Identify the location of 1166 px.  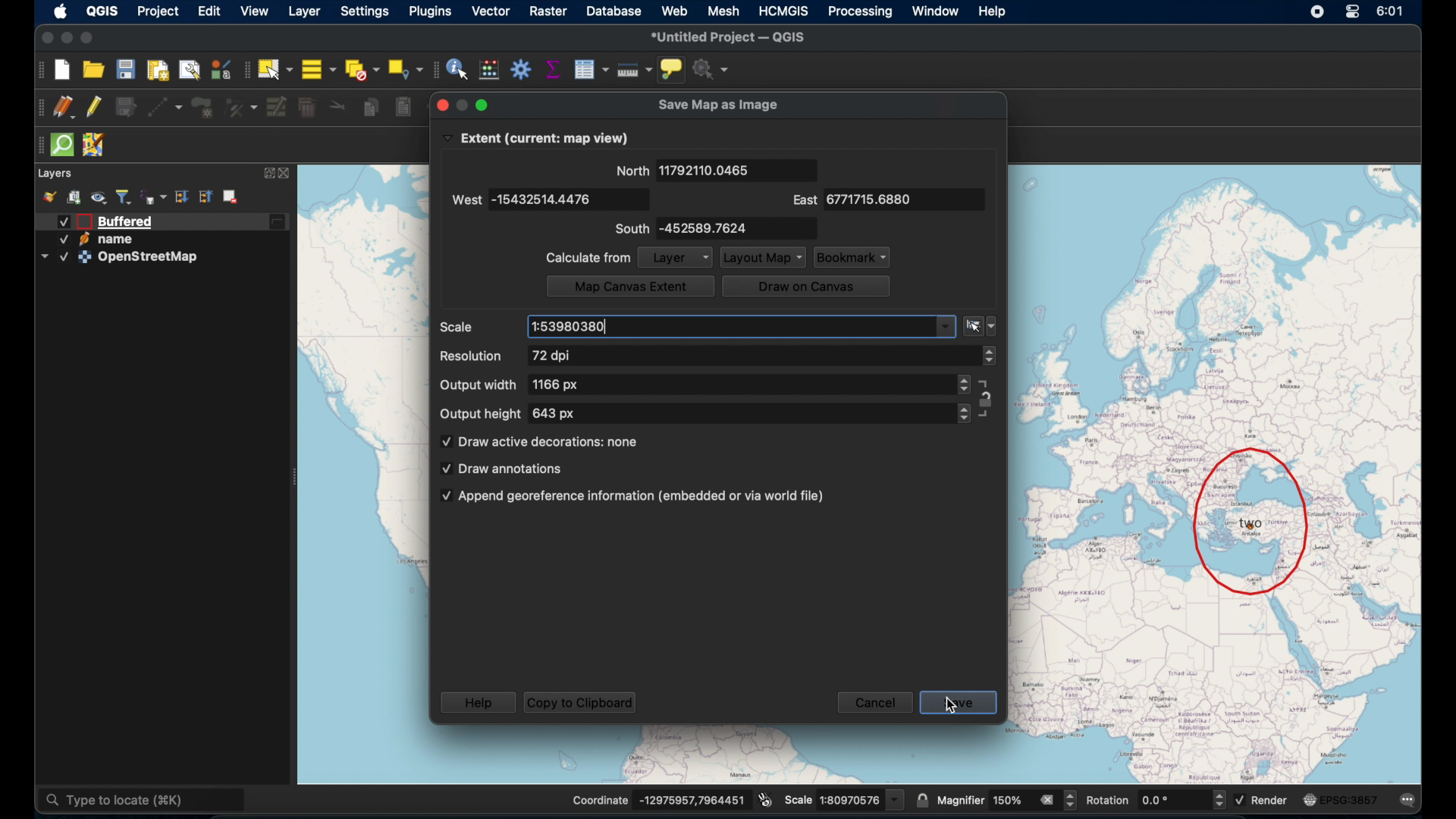
(557, 385).